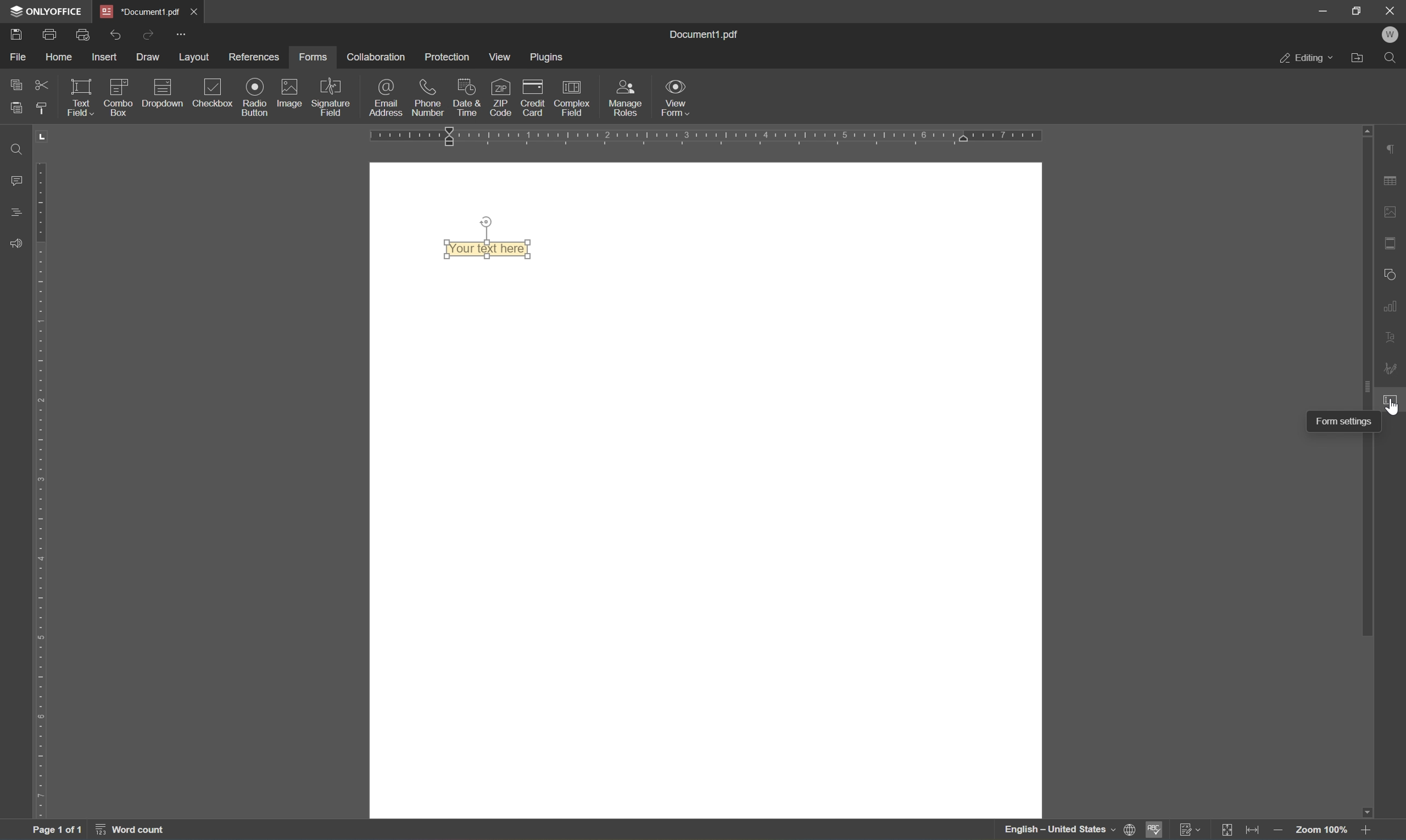 This screenshot has height=840, width=1406. What do you see at coordinates (215, 96) in the screenshot?
I see `` at bounding box center [215, 96].